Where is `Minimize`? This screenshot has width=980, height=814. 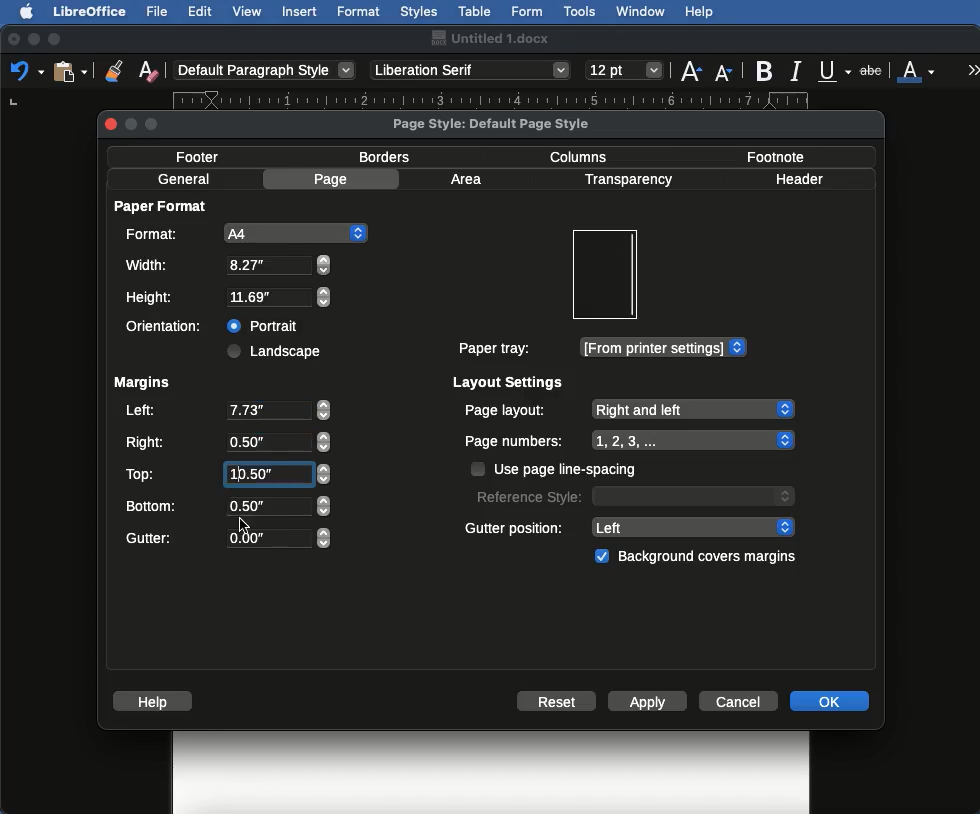 Minimize is located at coordinates (33, 39).